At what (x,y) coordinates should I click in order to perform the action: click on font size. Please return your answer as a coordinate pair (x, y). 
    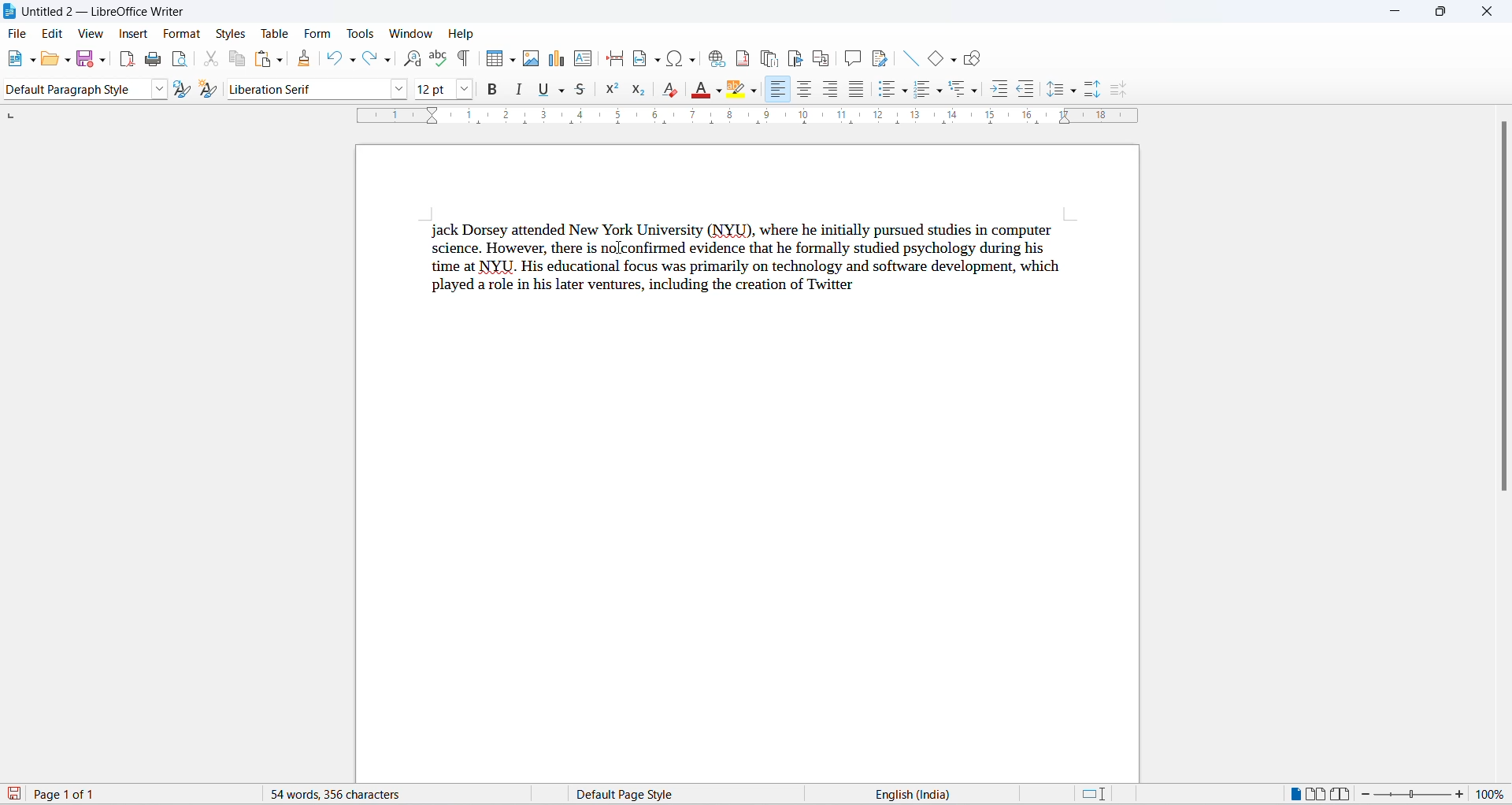
    Looking at the image, I should click on (432, 91).